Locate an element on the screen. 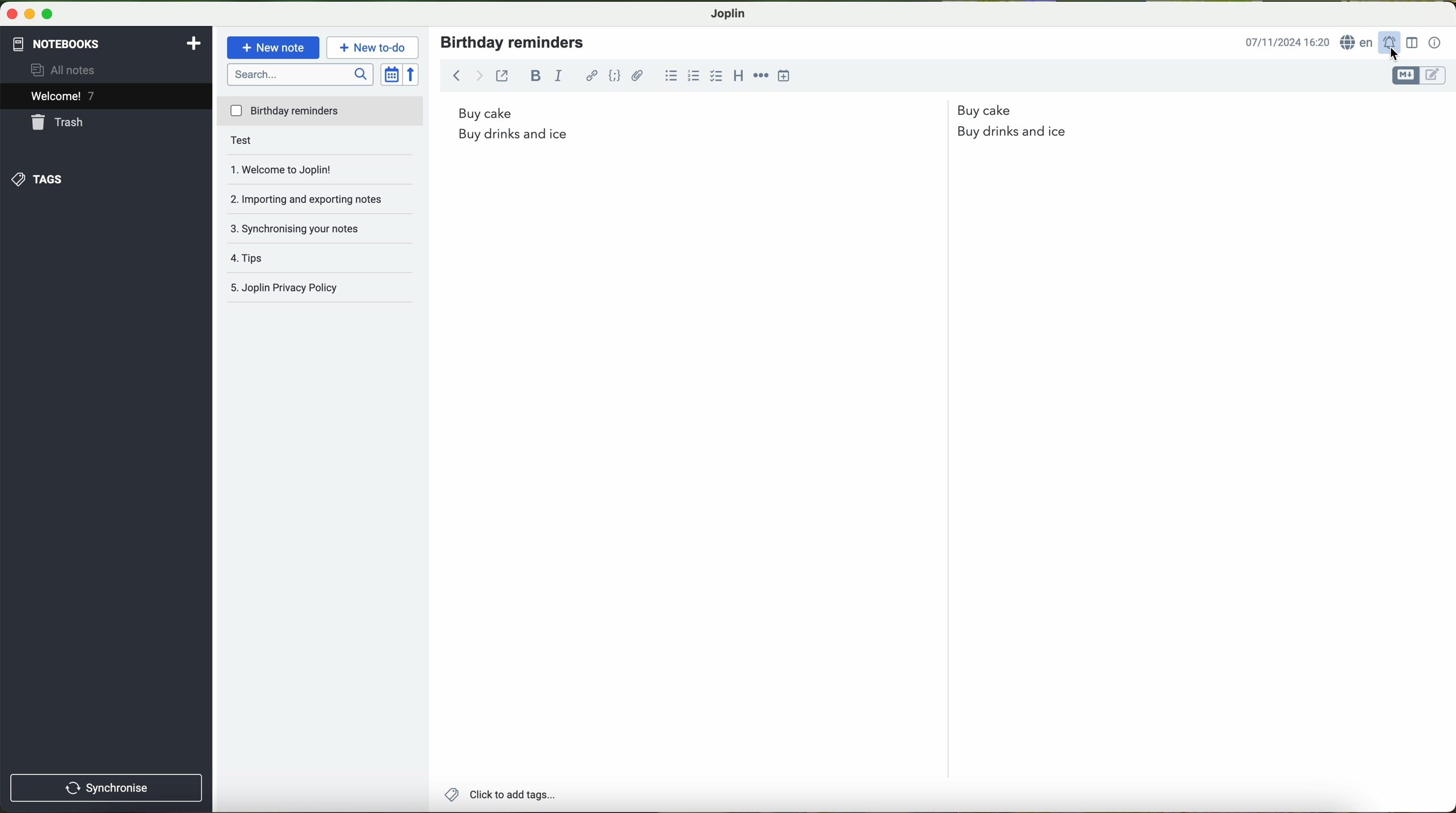  toggle editor layout is located at coordinates (1409, 41).